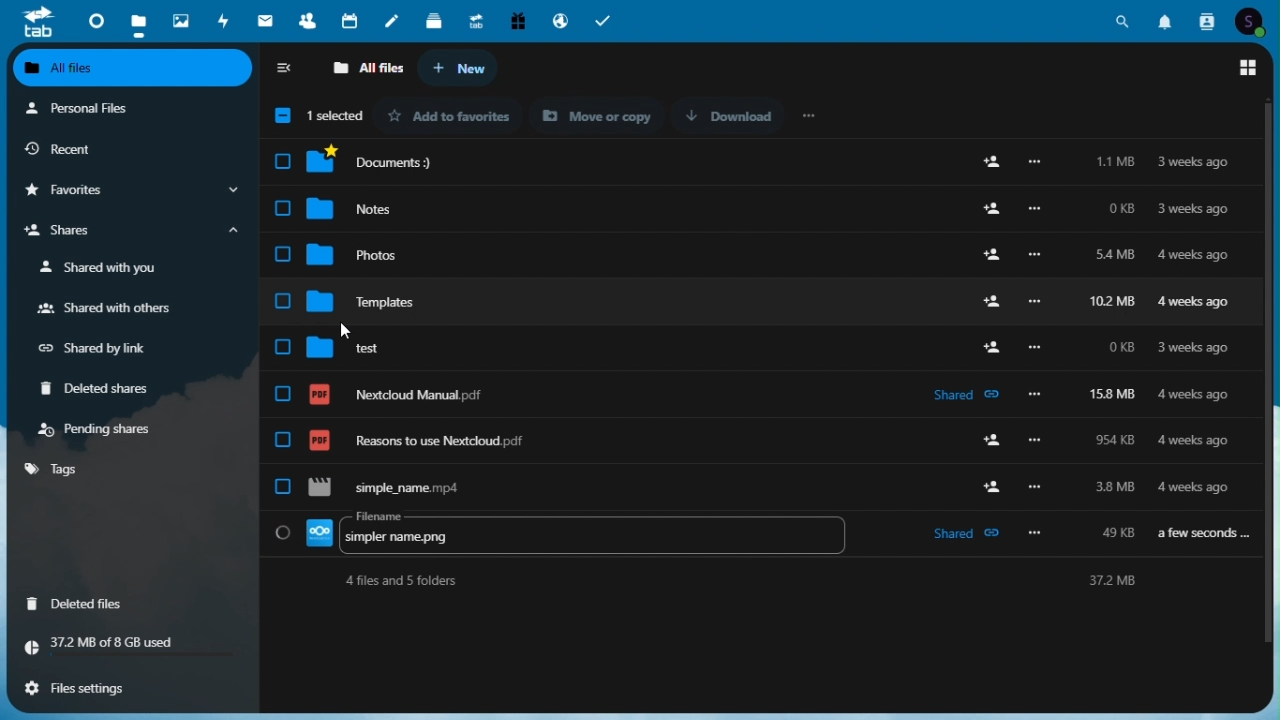  I want to click on files, so click(135, 20).